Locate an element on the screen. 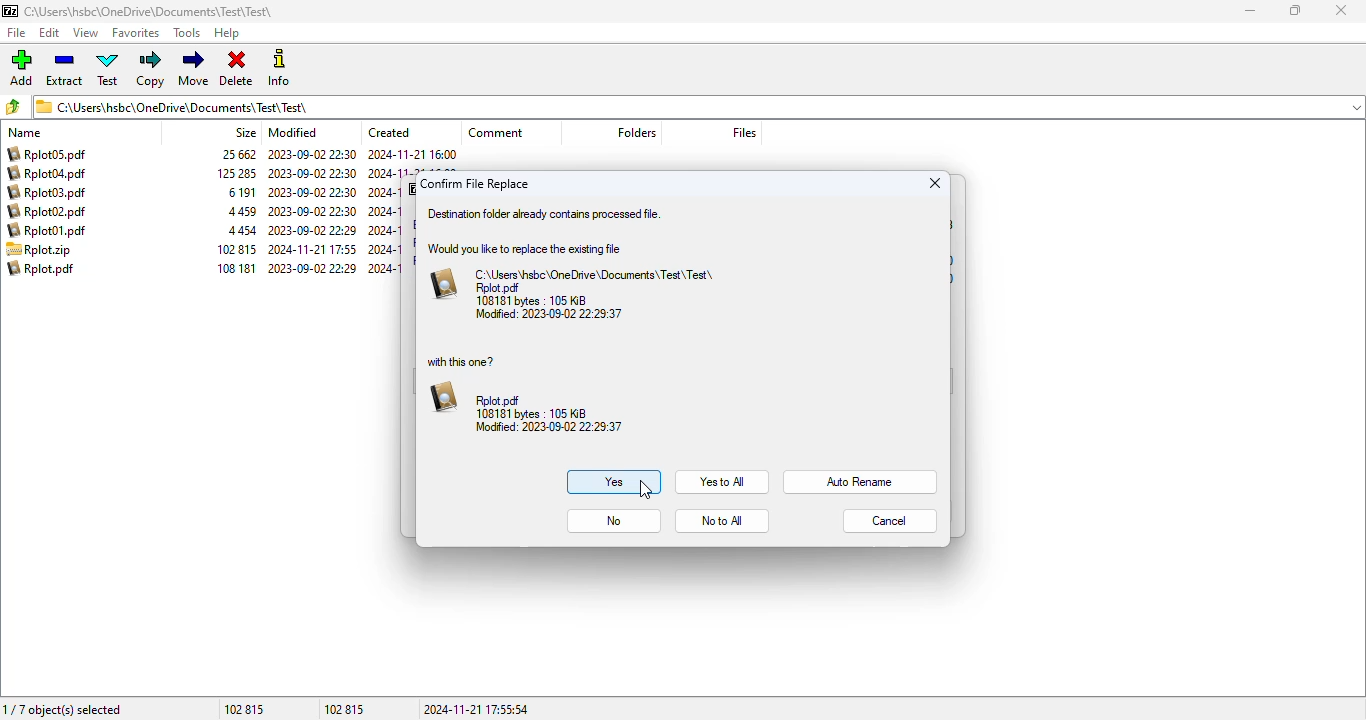 The height and width of the screenshot is (720, 1366). close is located at coordinates (938, 182).